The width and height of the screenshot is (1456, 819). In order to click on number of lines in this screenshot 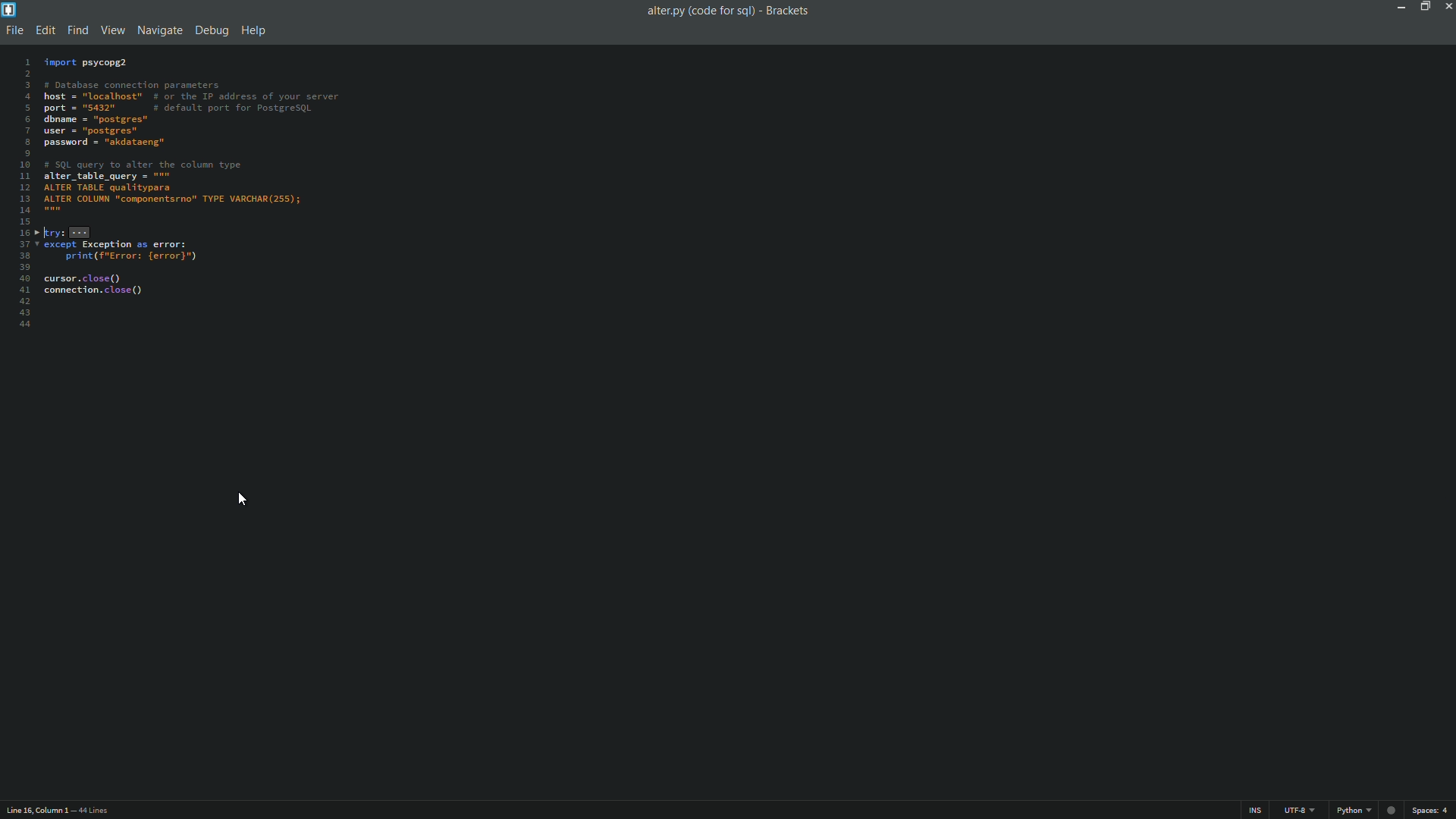, I will do `click(135, 812)`.